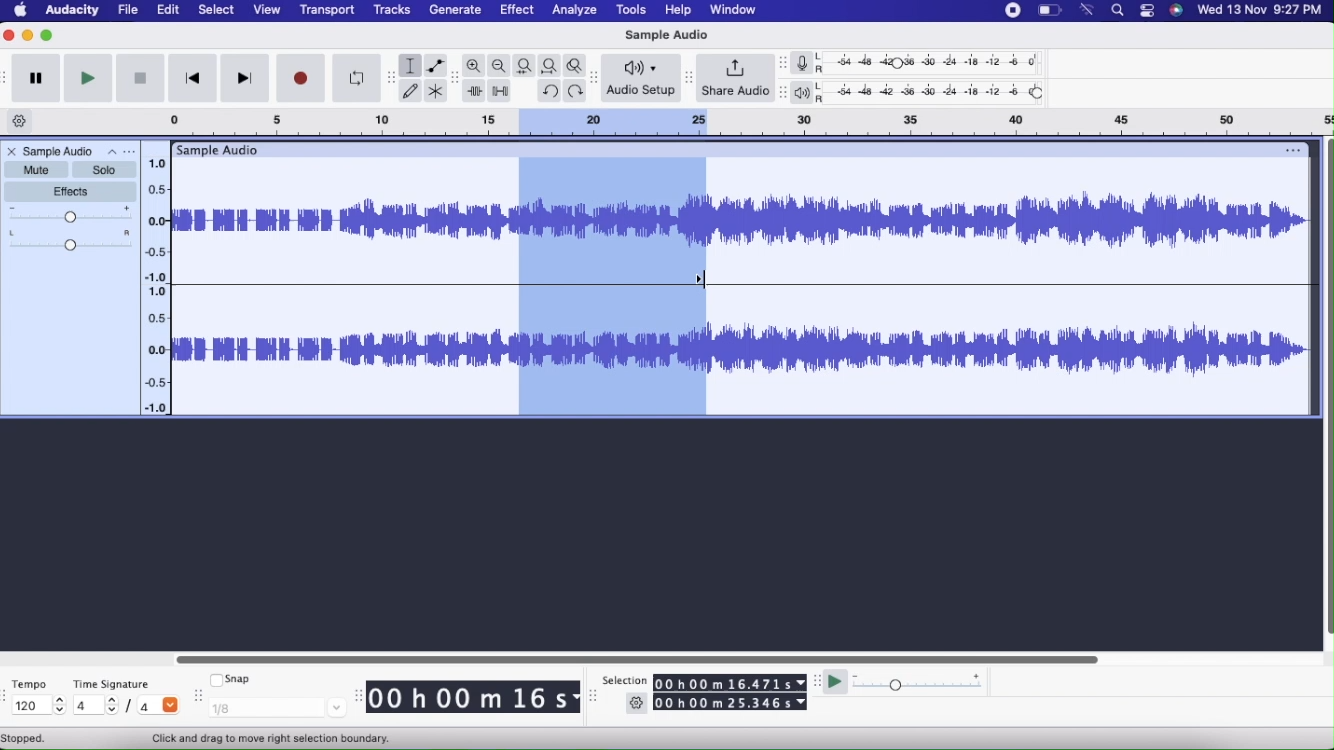 The height and width of the screenshot is (750, 1334). What do you see at coordinates (518, 12) in the screenshot?
I see `effect` at bounding box center [518, 12].